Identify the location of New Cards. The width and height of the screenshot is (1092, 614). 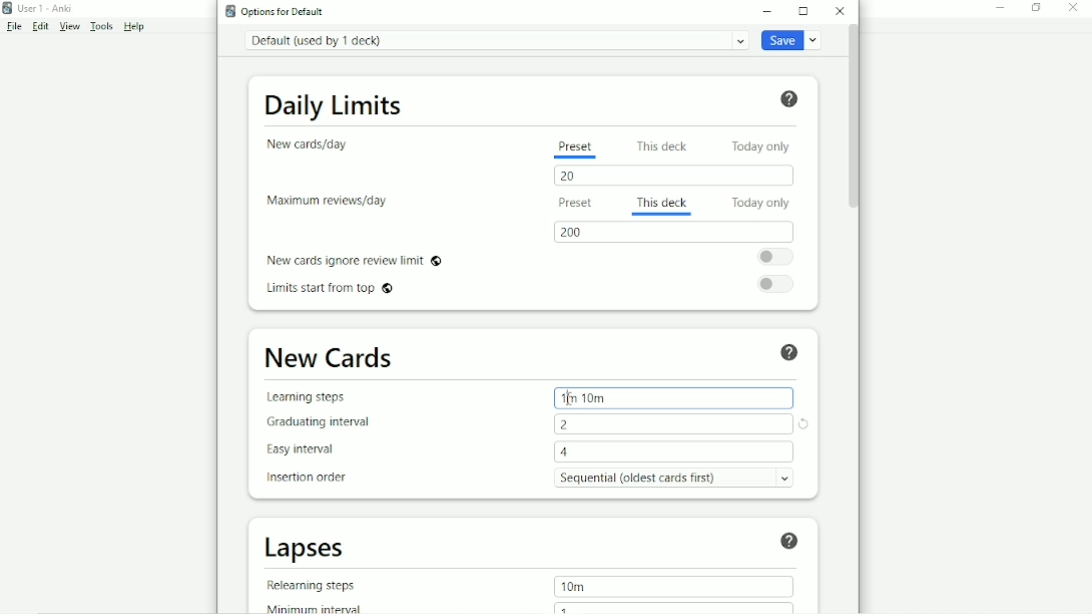
(331, 359).